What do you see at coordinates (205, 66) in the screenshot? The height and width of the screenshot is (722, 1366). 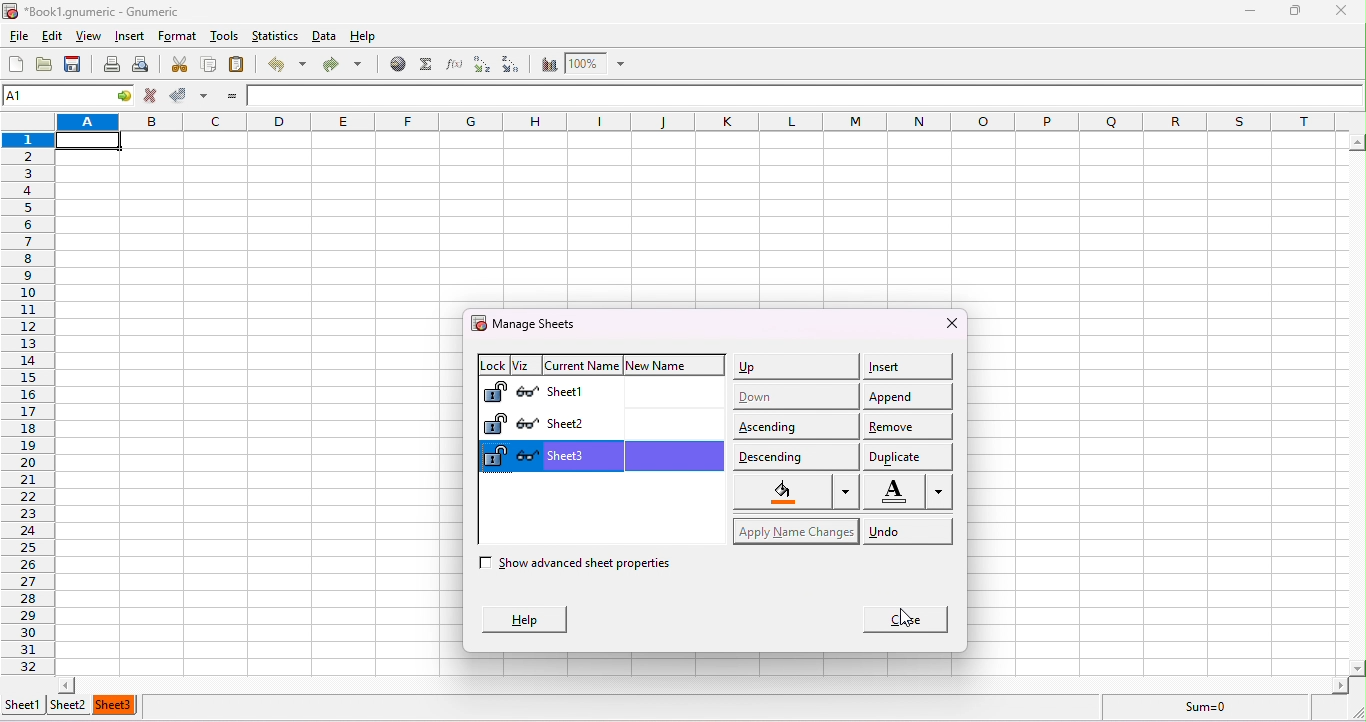 I see `copy` at bounding box center [205, 66].